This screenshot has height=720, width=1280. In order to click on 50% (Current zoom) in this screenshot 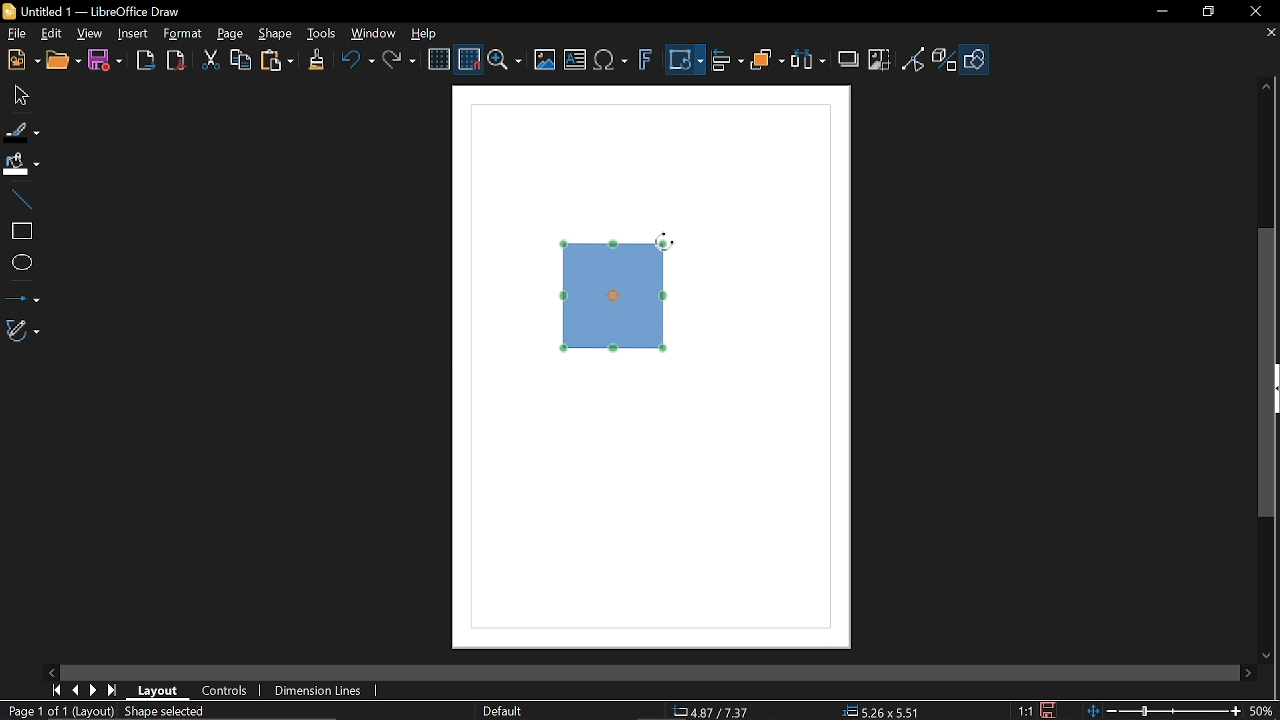, I will do `click(1262, 709)`.